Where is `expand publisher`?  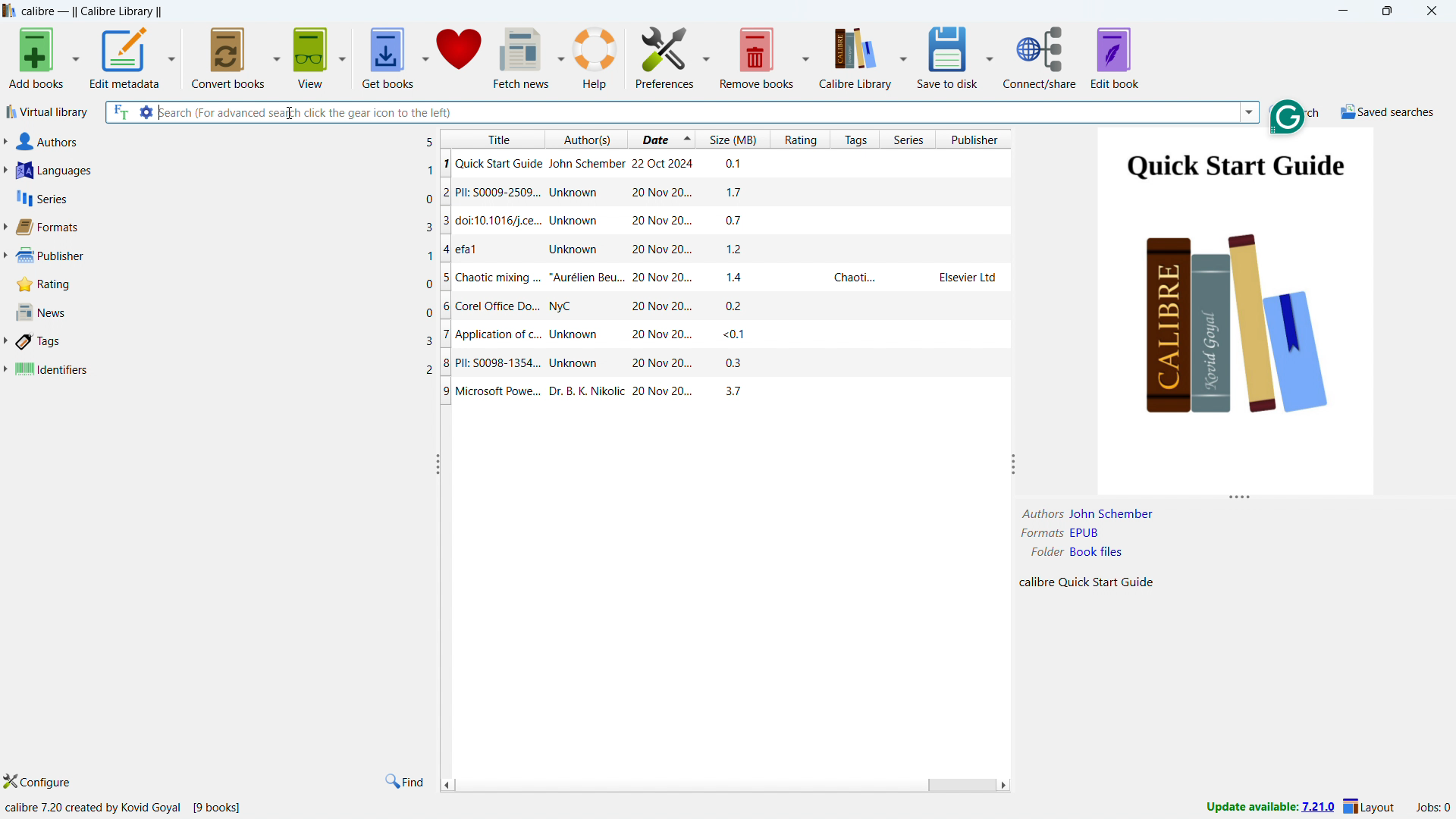 expand publisher is located at coordinates (5, 256).